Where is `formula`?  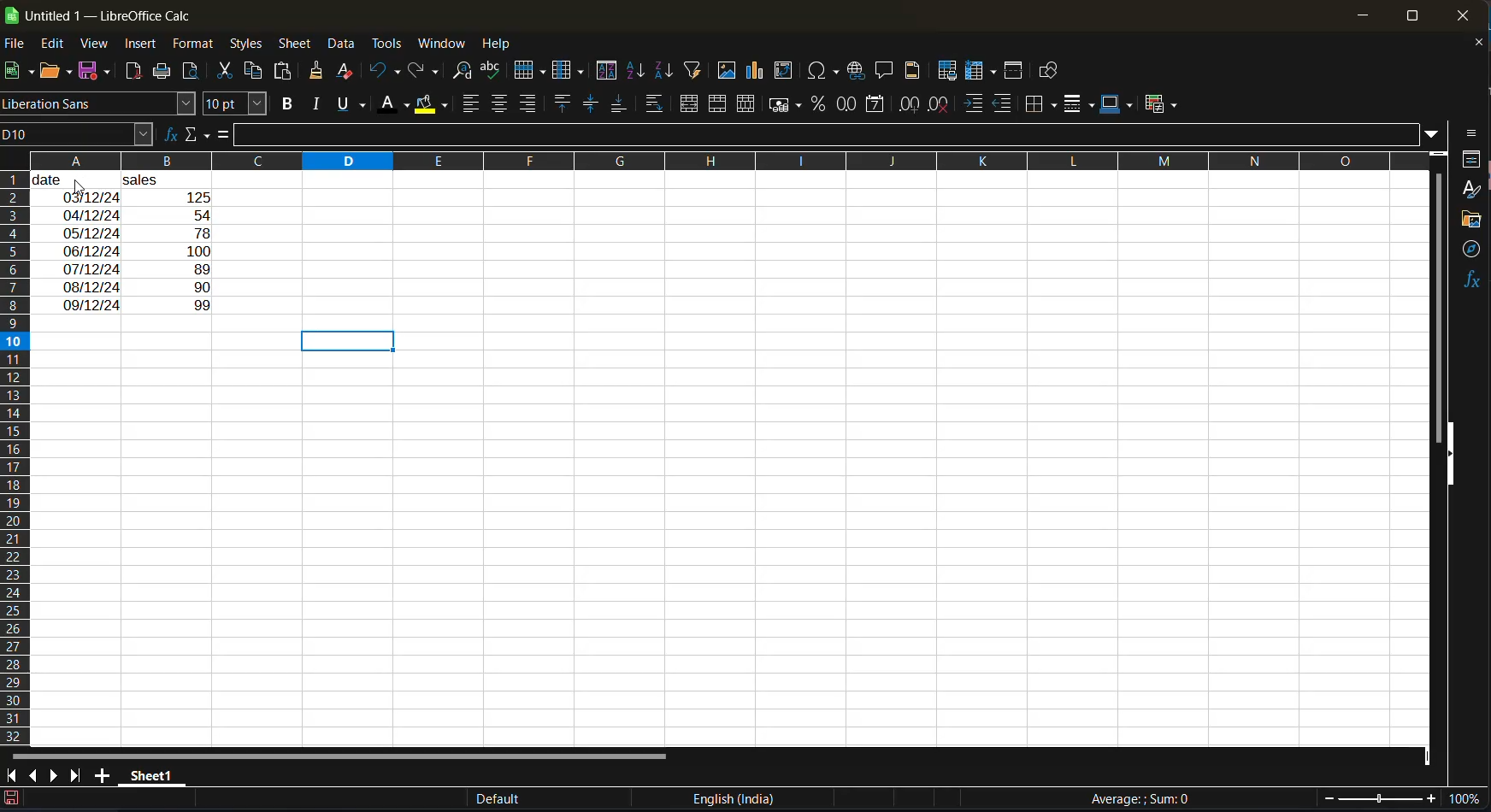 formula is located at coordinates (1146, 798).